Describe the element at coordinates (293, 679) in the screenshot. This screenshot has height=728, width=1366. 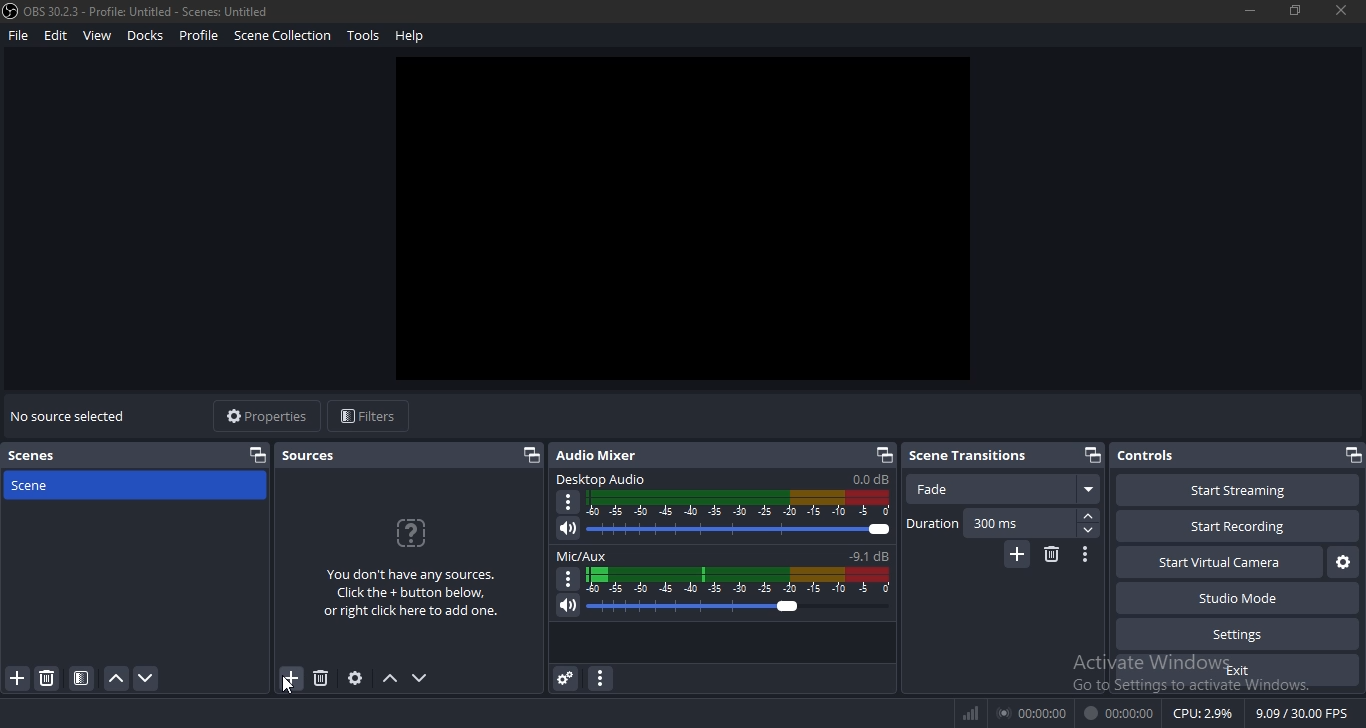
I see `add sources` at that location.